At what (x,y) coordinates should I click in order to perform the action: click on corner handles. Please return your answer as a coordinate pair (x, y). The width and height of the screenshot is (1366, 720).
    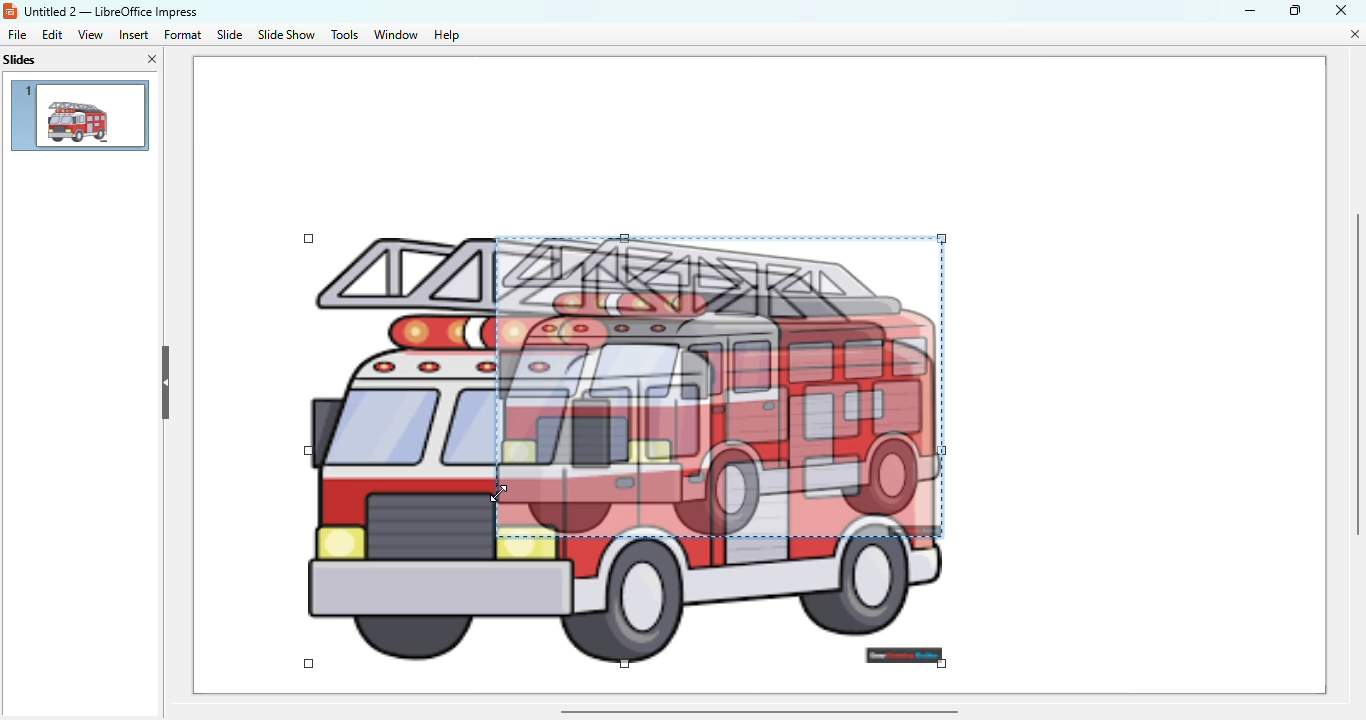
    Looking at the image, I should click on (941, 238).